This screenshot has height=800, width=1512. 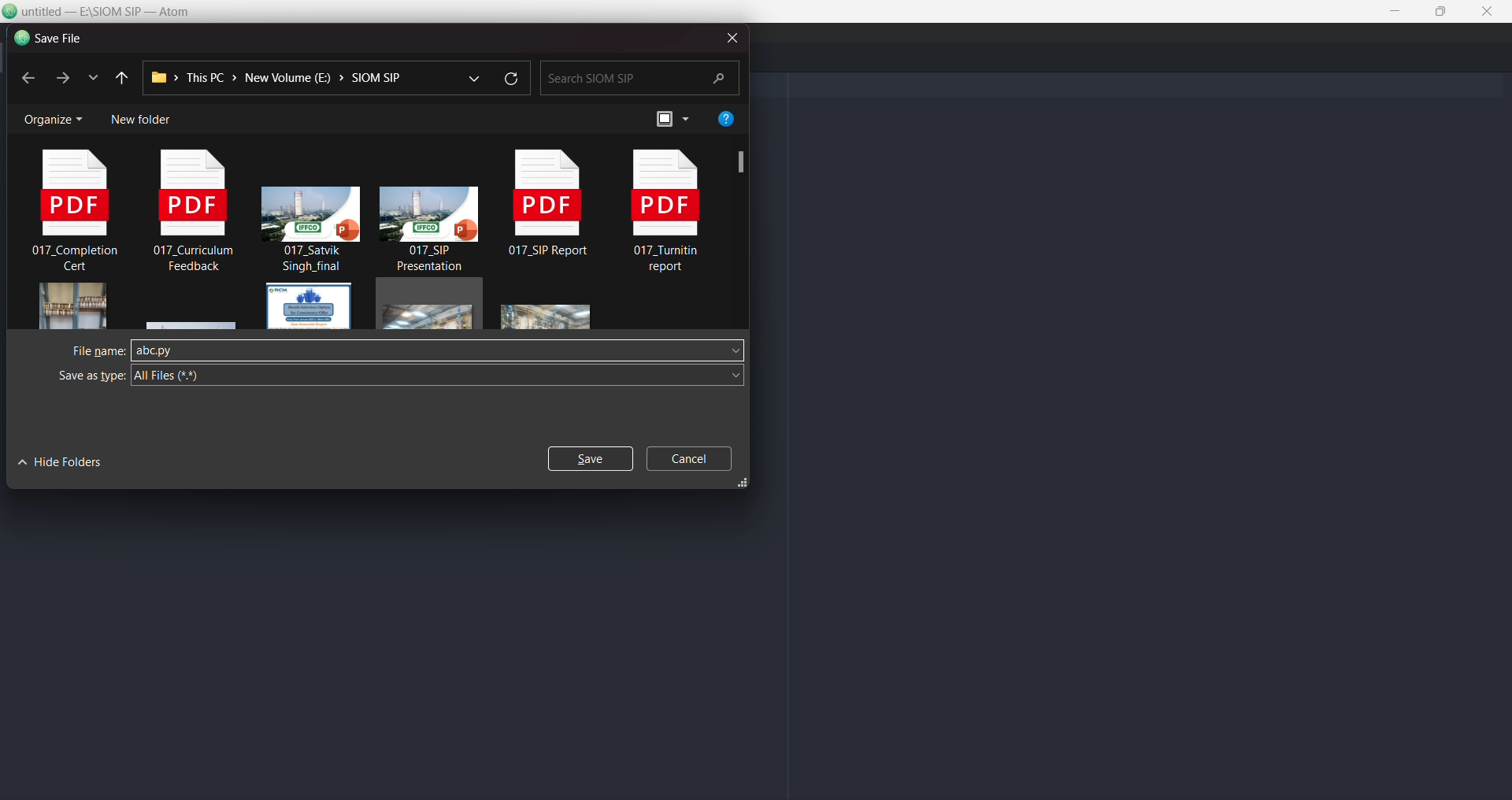 What do you see at coordinates (287, 76) in the screenshot?
I see `path` at bounding box center [287, 76].